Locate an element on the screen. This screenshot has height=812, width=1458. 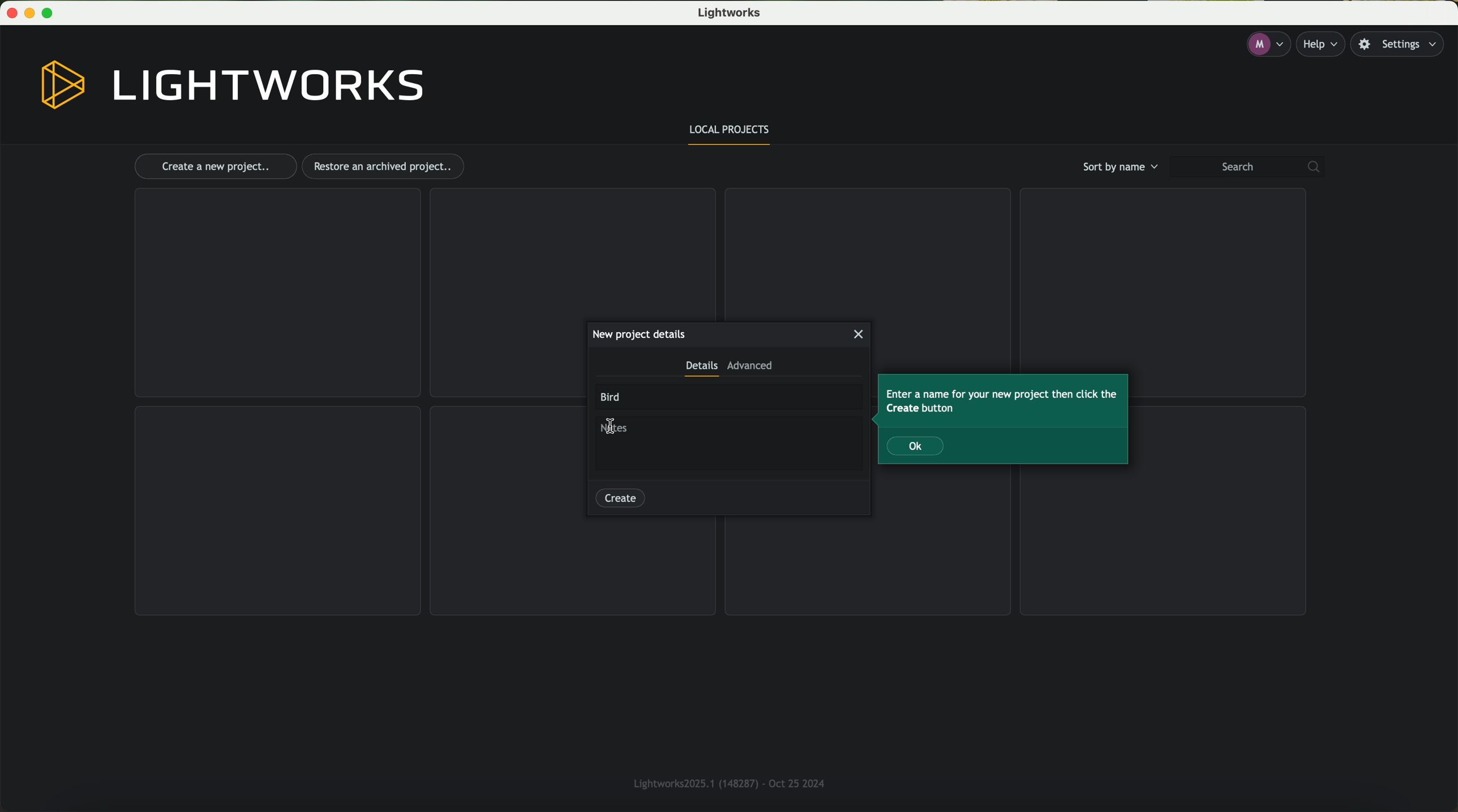
grid is located at coordinates (571, 252).